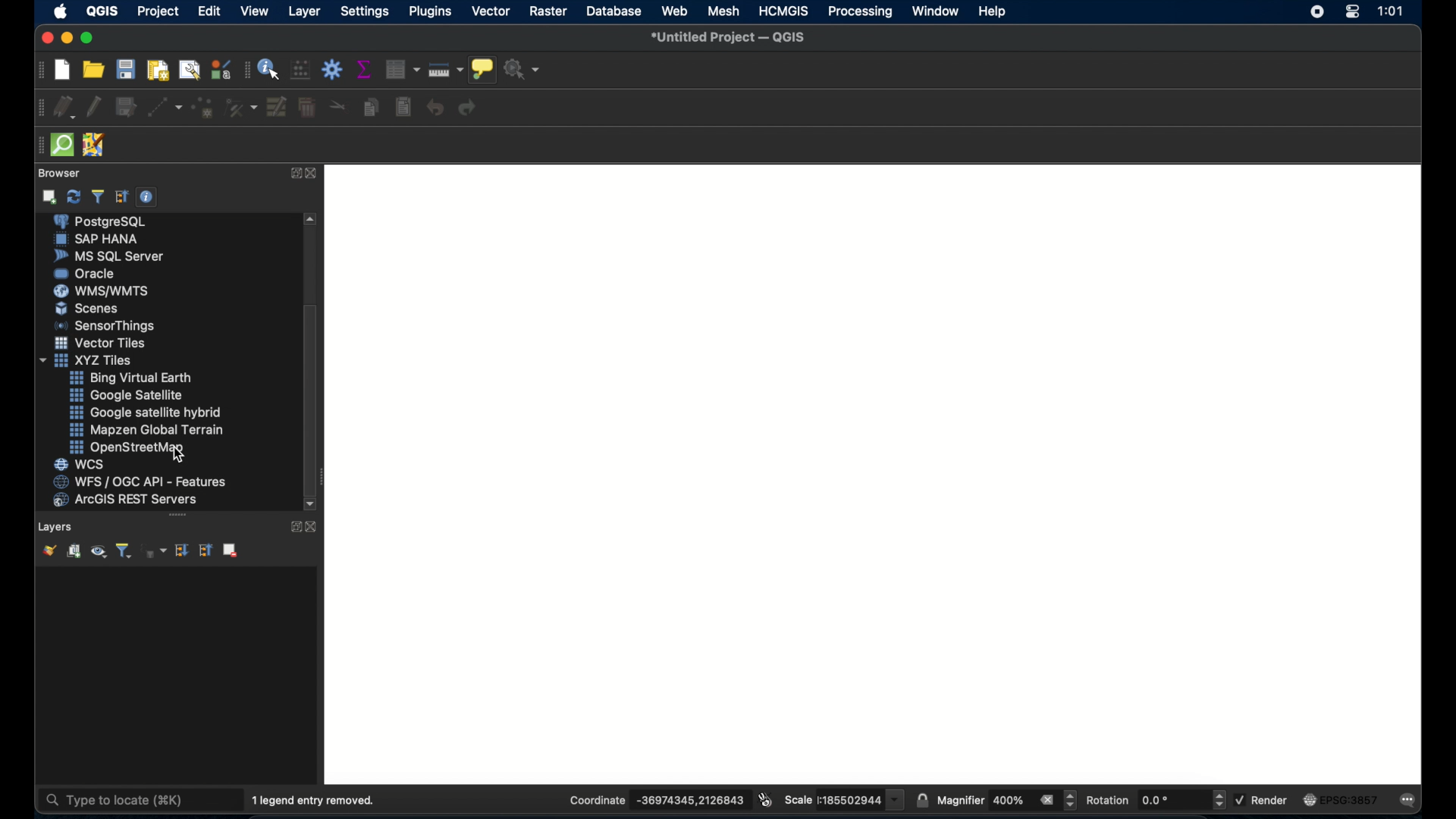 This screenshot has width=1456, height=819. What do you see at coordinates (122, 197) in the screenshot?
I see `collapse all` at bounding box center [122, 197].